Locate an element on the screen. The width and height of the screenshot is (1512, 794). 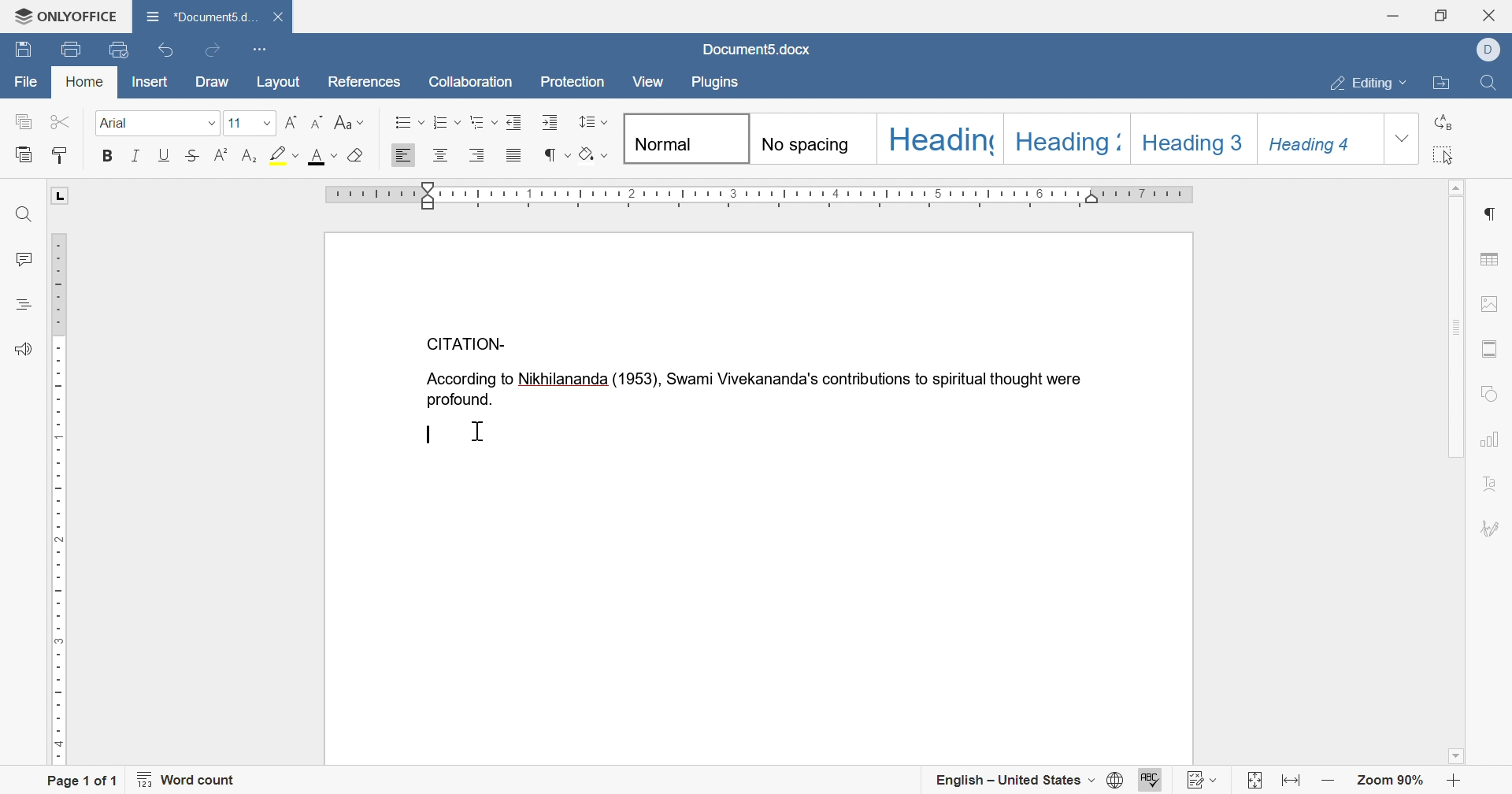
increase indent is located at coordinates (548, 123).